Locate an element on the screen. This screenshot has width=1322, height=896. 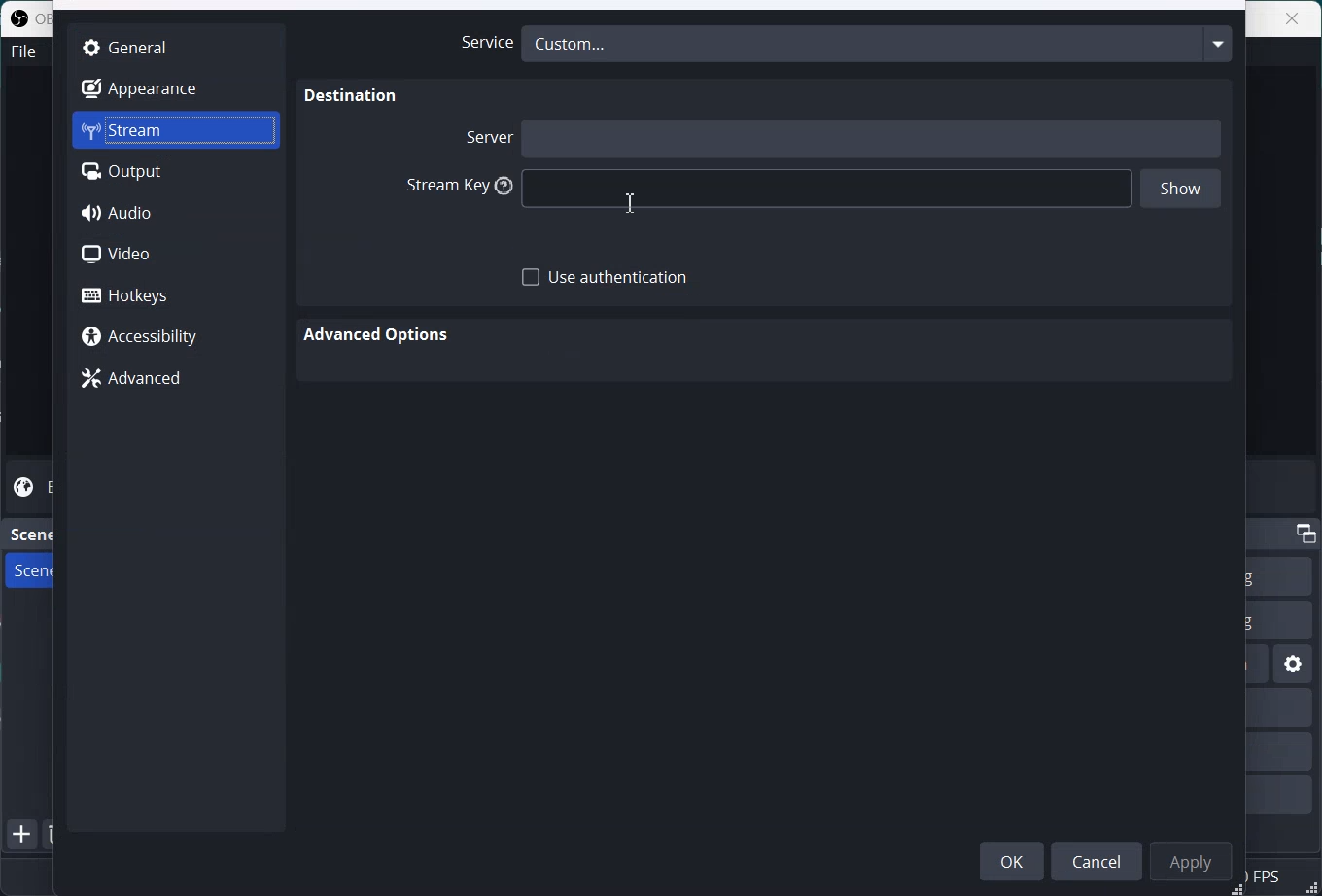
Window adjuster is located at coordinates (1238, 889).